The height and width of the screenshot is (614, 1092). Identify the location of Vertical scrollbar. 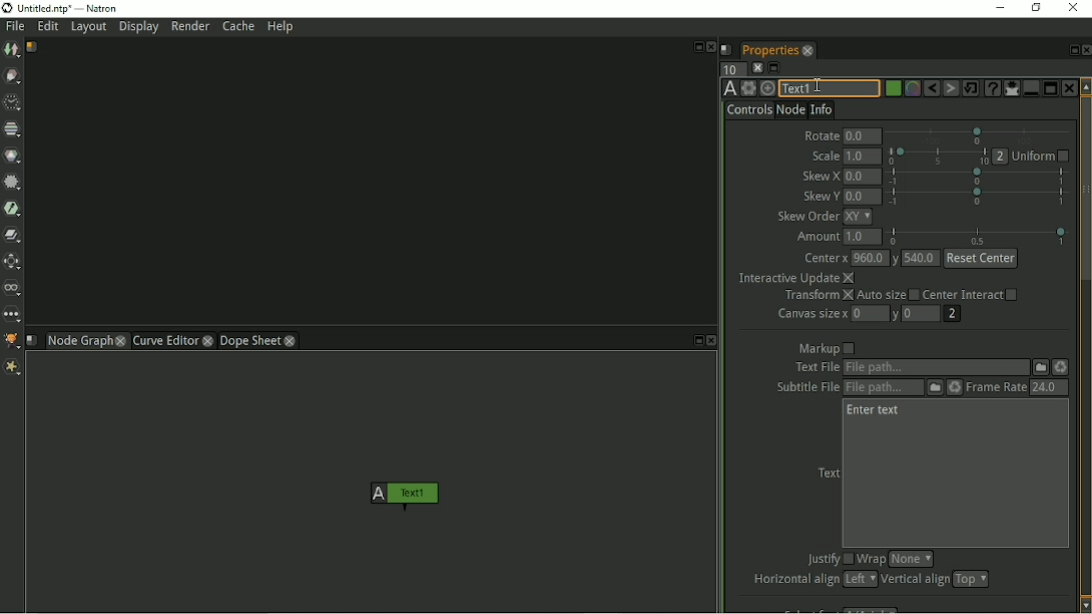
(1085, 345).